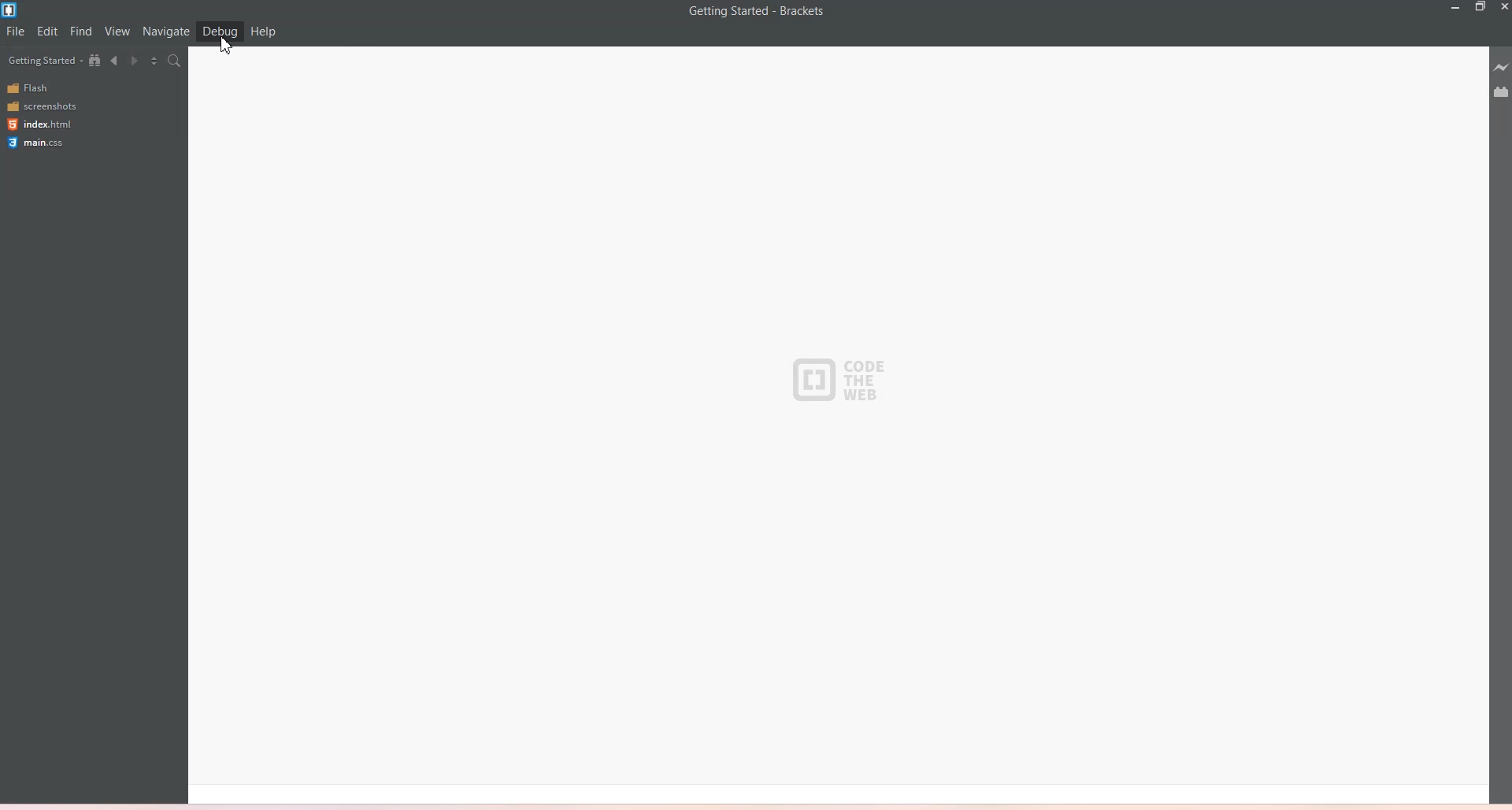 The width and height of the screenshot is (1512, 810). Describe the element at coordinates (1501, 92) in the screenshot. I see `Extension Manager` at that location.